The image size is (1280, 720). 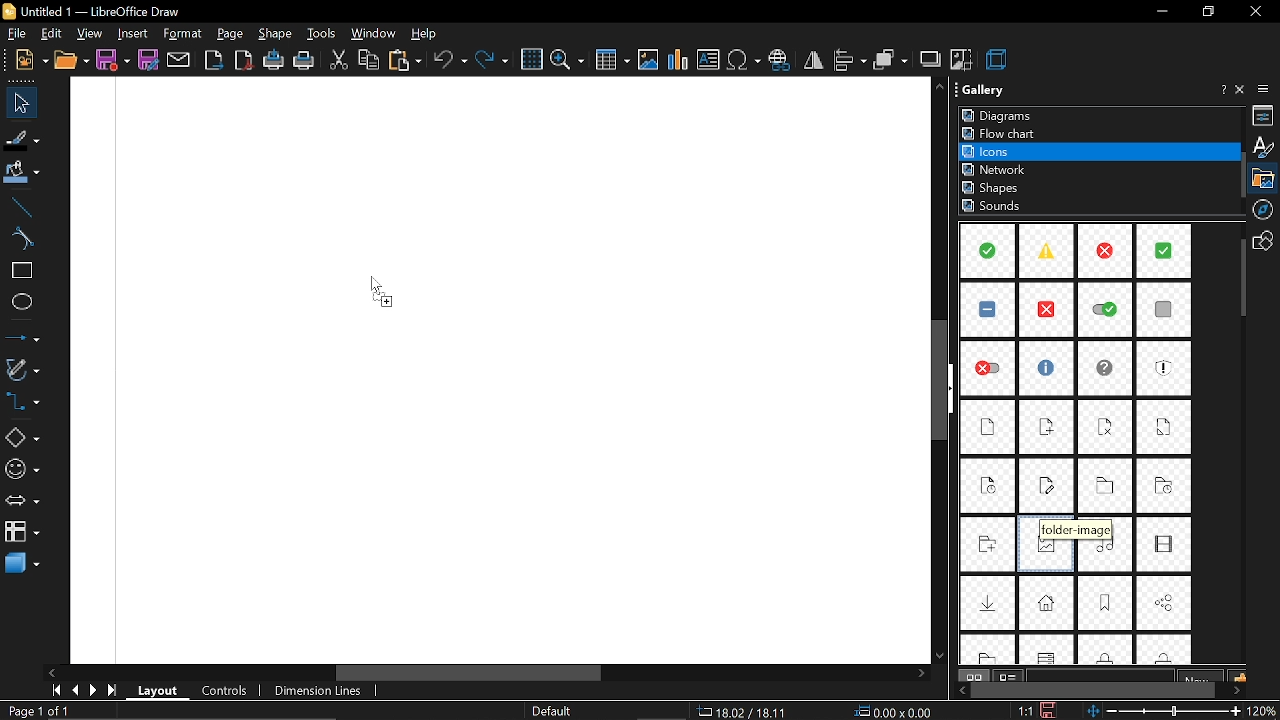 What do you see at coordinates (423, 33) in the screenshot?
I see `help` at bounding box center [423, 33].